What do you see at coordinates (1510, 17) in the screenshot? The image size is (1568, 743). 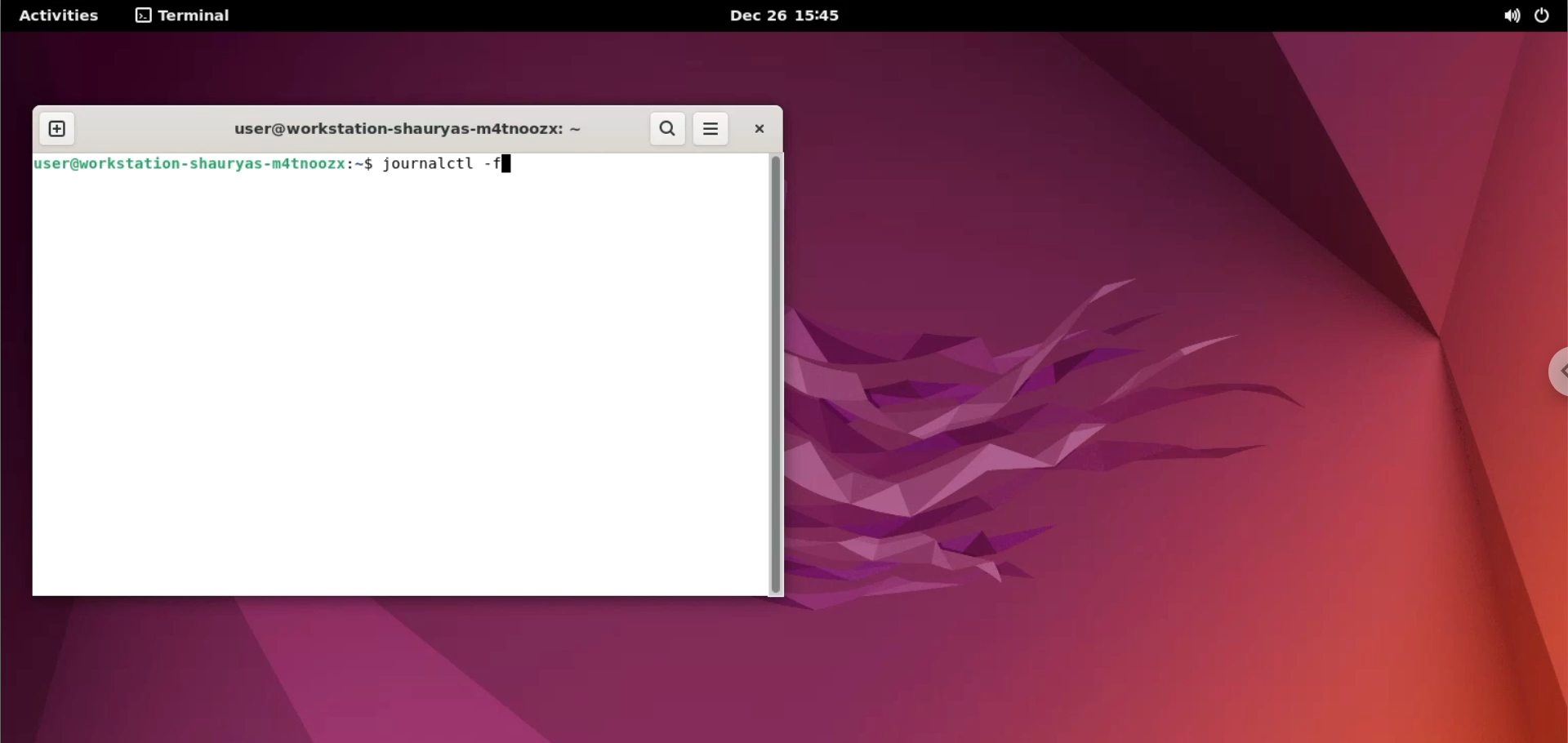 I see `sound options` at bounding box center [1510, 17].